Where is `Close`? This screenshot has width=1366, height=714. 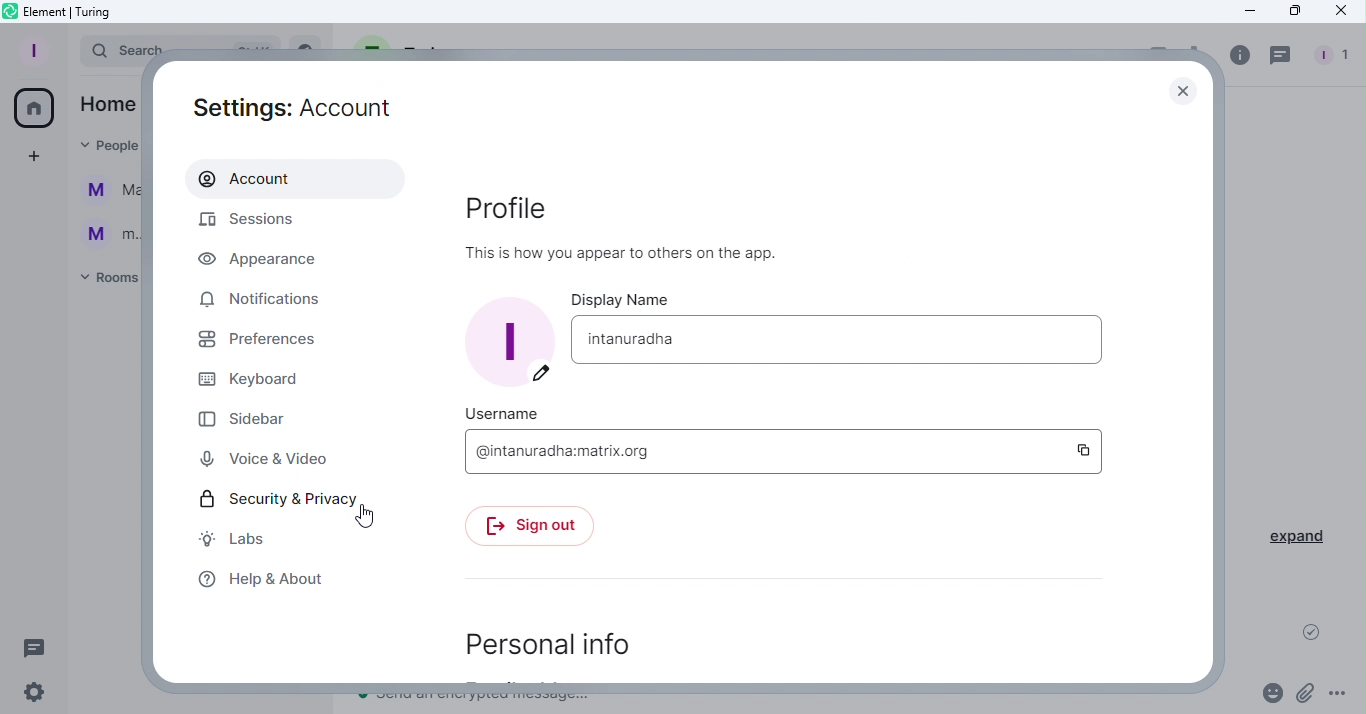 Close is located at coordinates (1180, 91).